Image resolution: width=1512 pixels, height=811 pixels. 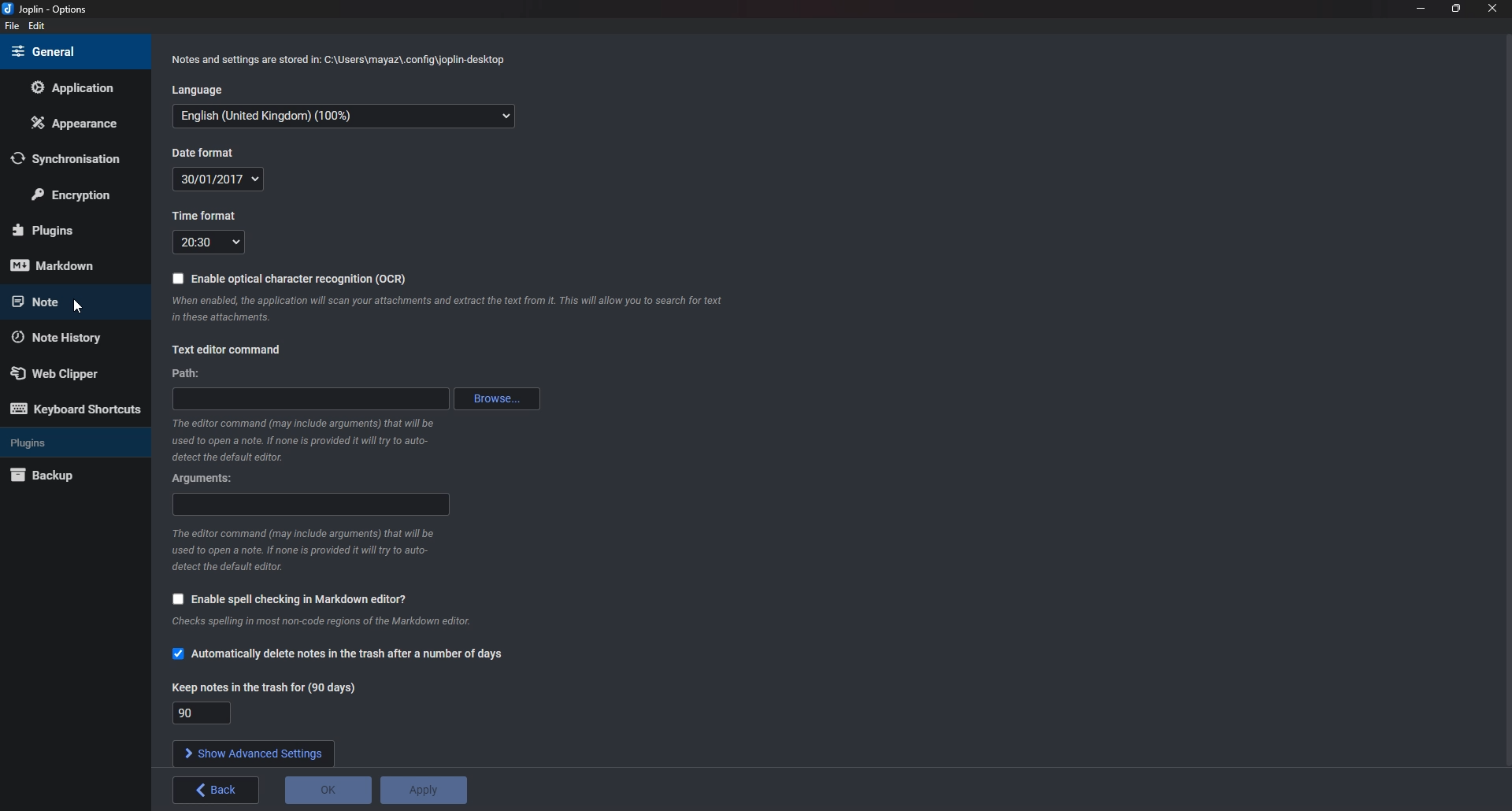 I want to click on Encryption, so click(x=70, y=195).